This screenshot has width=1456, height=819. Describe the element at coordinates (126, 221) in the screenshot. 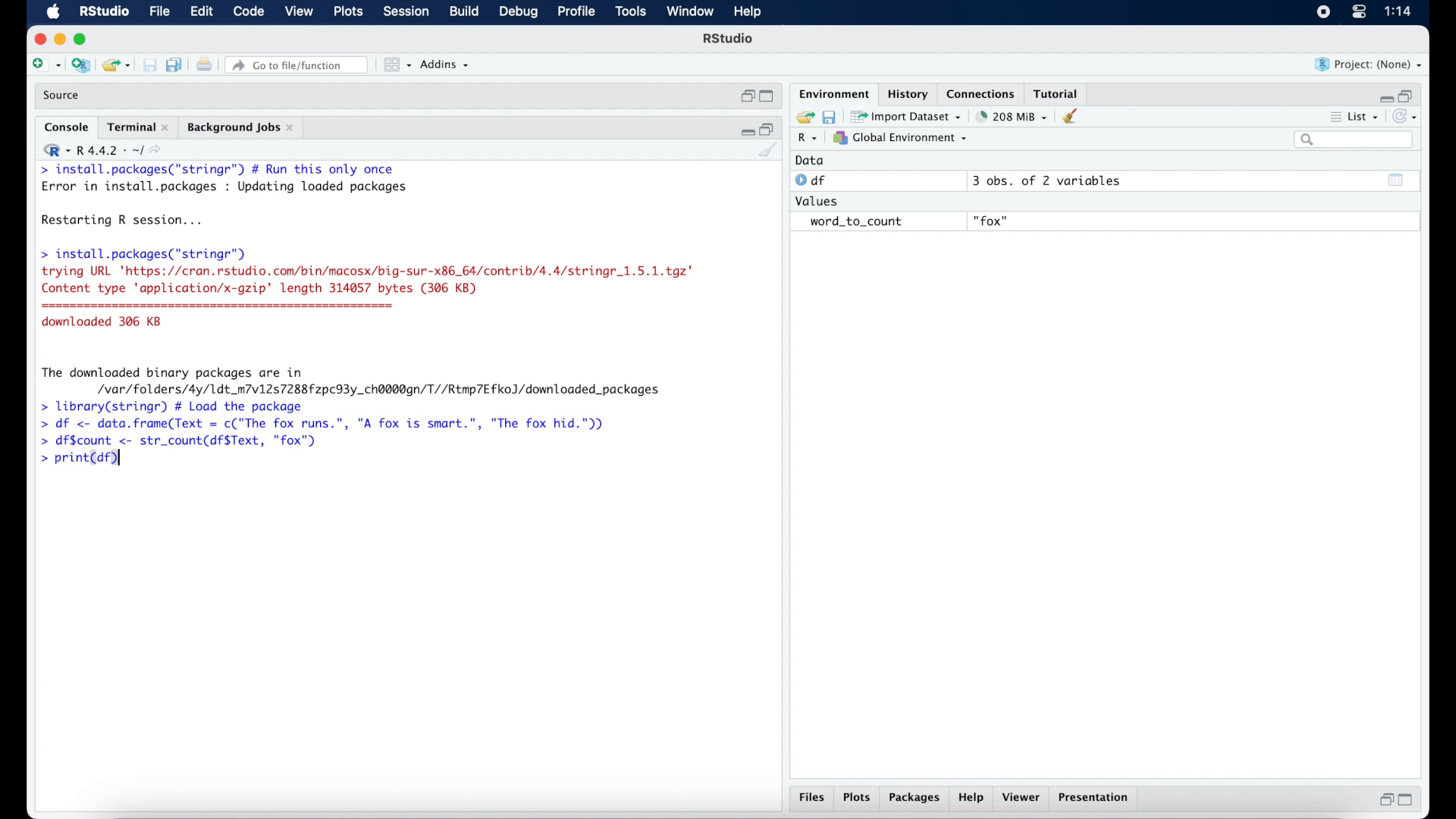

I see `Restarting R session...` at that location.